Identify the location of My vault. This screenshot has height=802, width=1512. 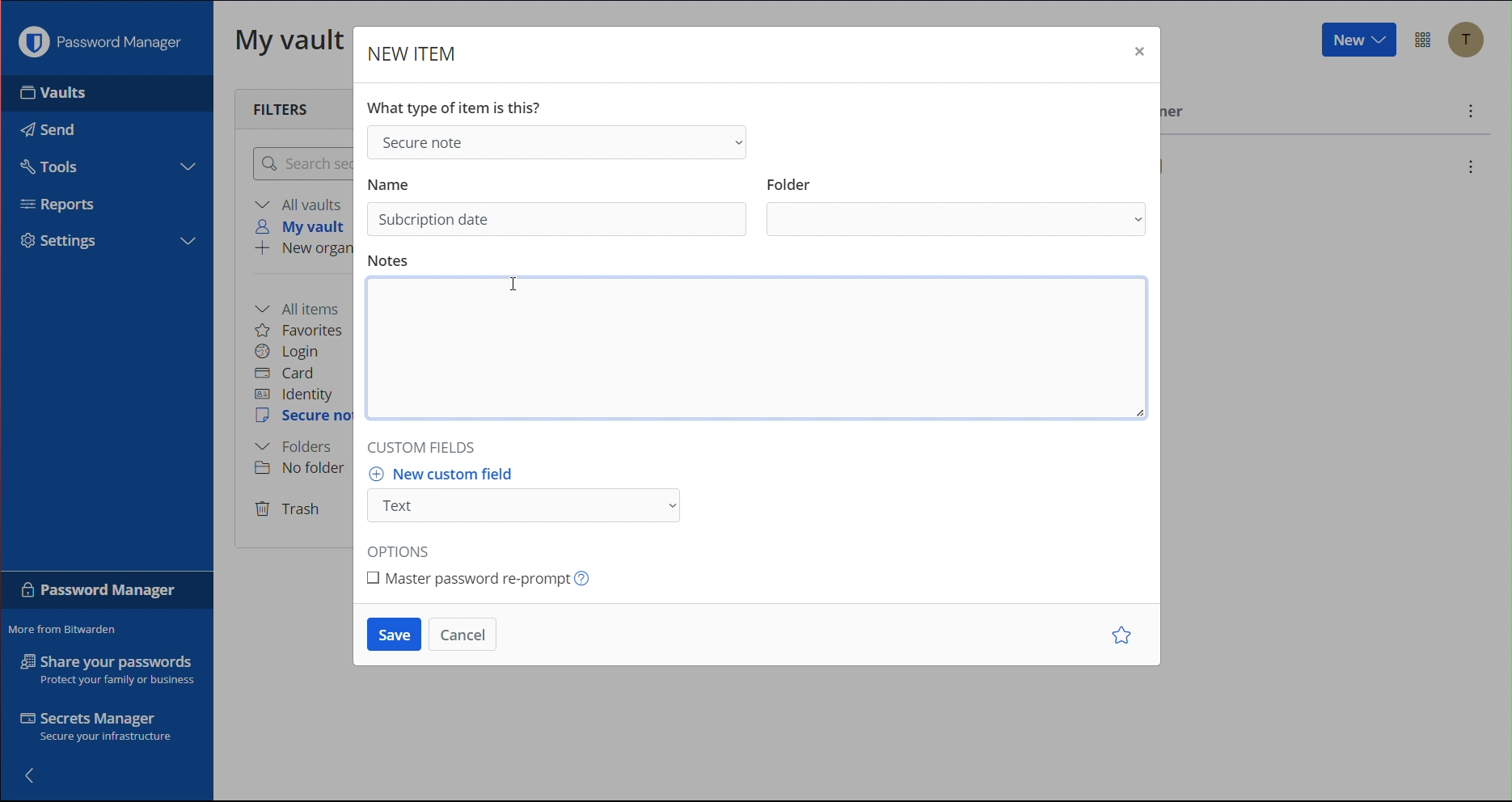
(305, 226).